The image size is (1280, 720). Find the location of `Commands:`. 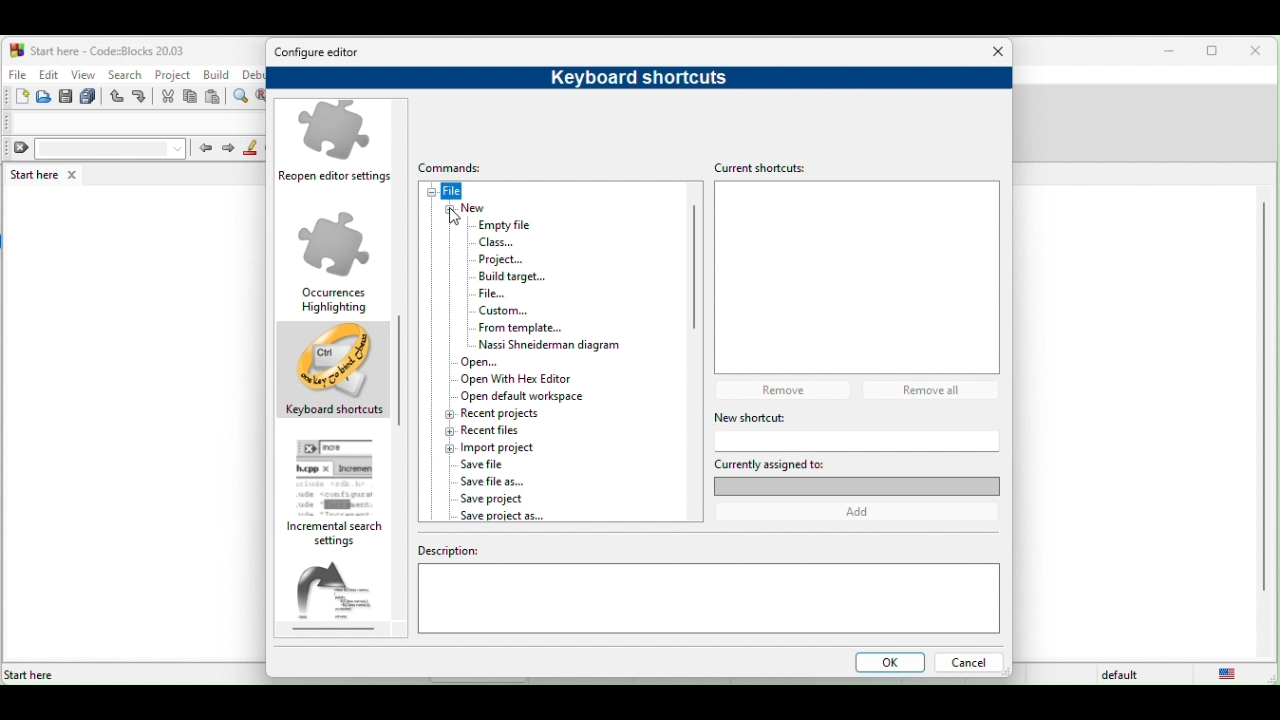

Commands: is located at coordinates (460, 168).